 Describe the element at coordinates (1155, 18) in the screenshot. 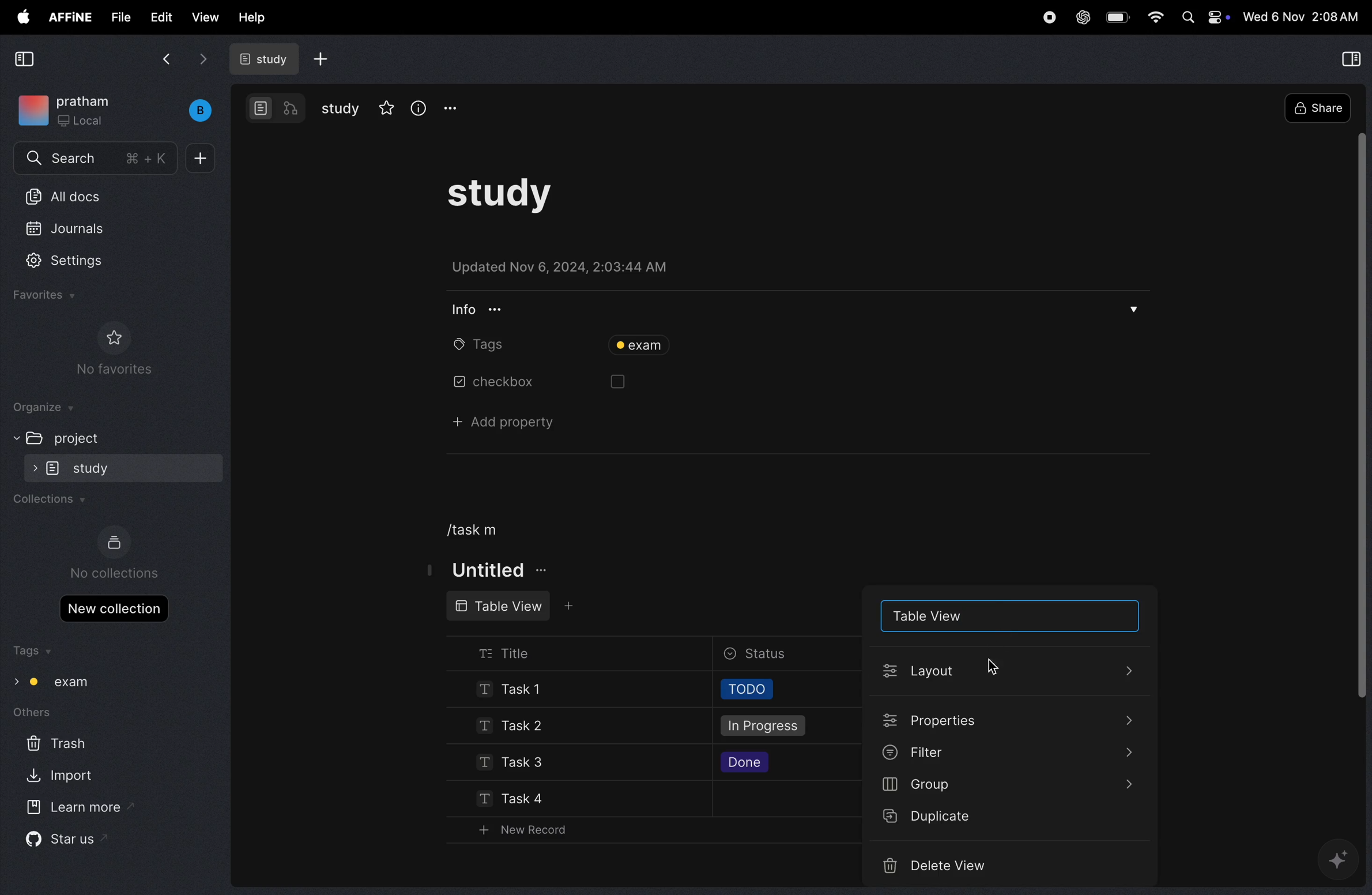

I see `wifi` at that location.